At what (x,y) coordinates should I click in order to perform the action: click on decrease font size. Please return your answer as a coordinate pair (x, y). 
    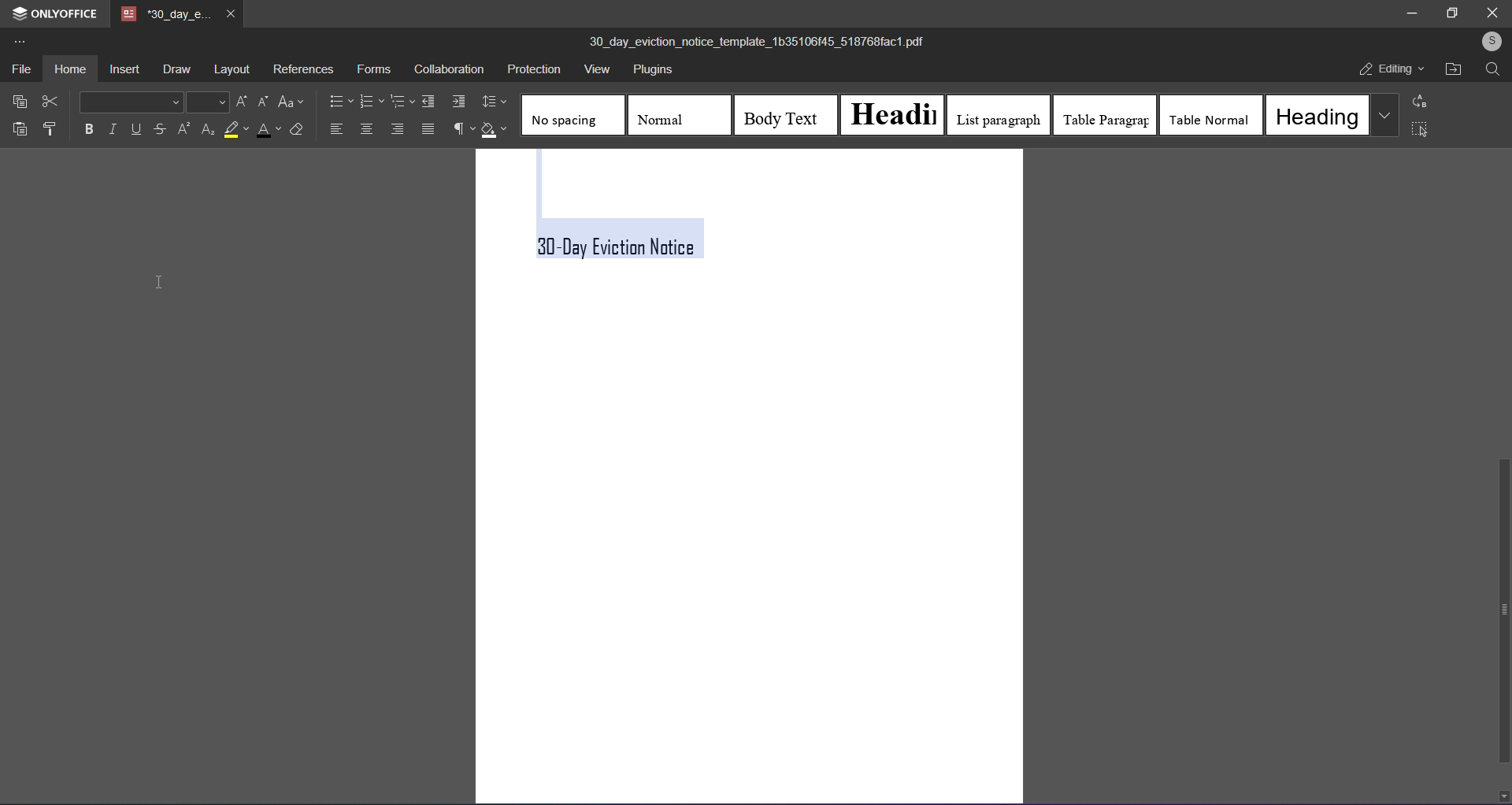
    Looking at the image, I should click on (260, 101).